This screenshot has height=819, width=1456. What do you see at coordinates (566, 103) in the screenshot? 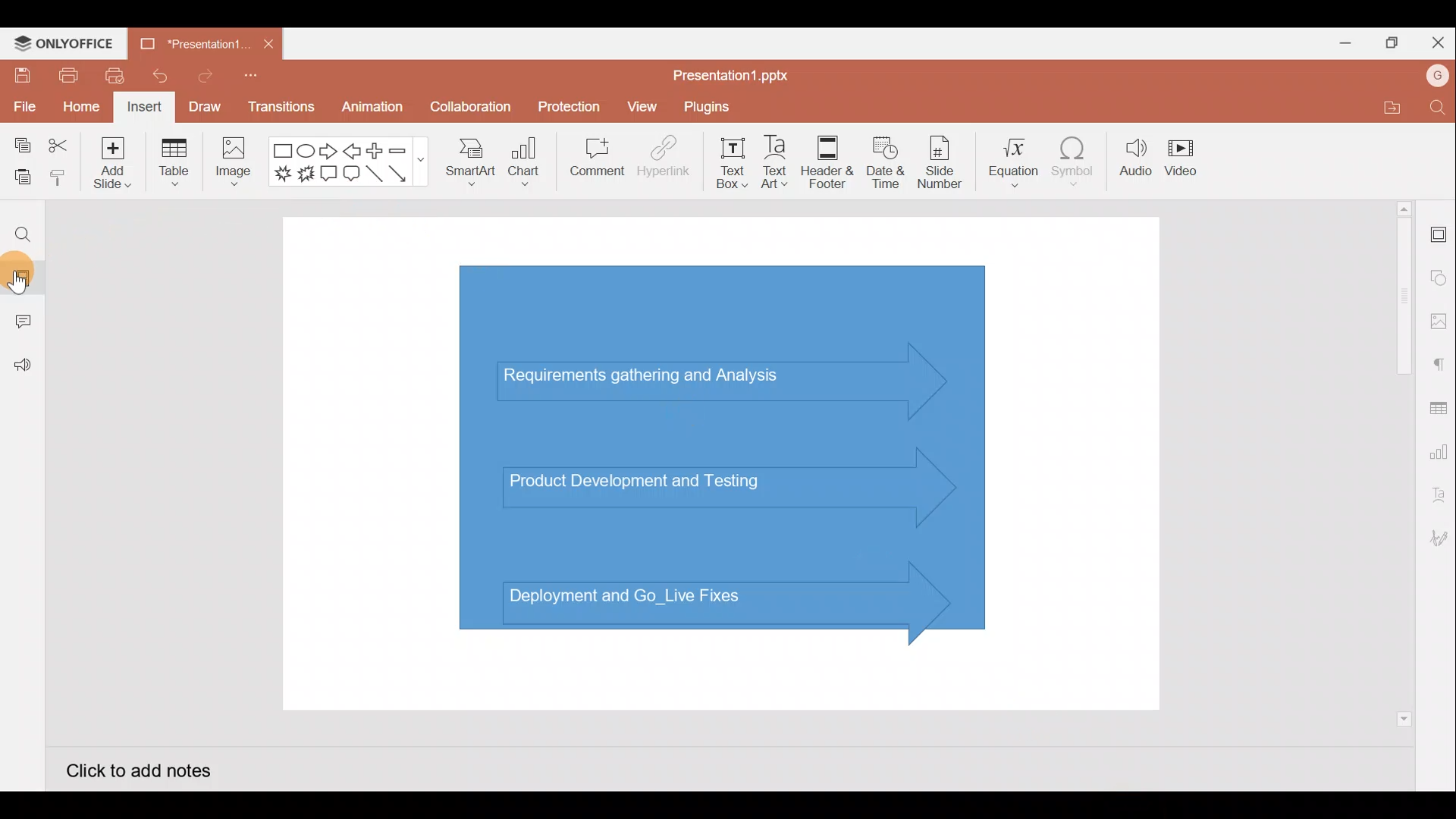
I see `Protection` at bounding box center [566, 103].